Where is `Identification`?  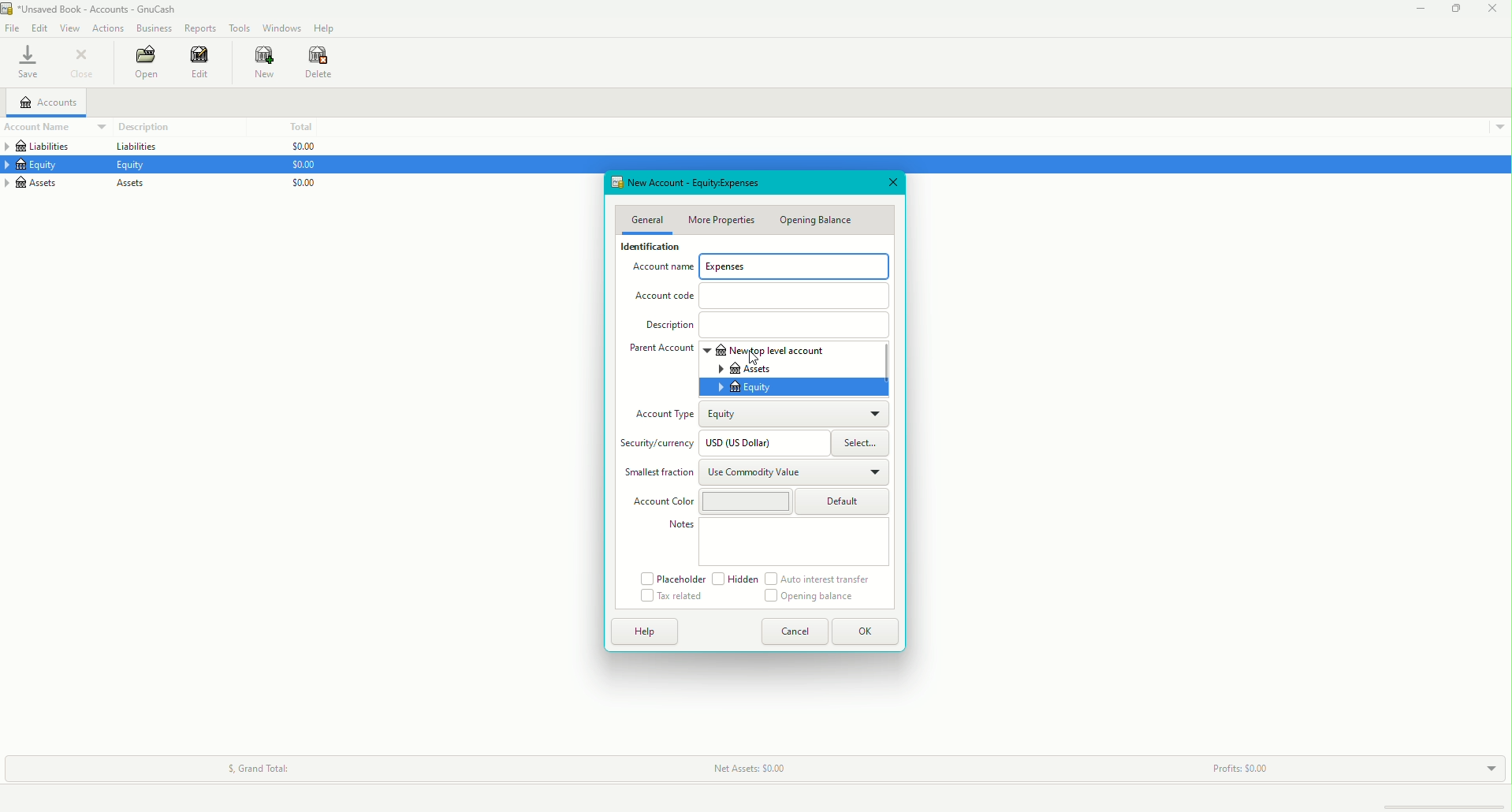
Identification is located at coordinates (650, 245).